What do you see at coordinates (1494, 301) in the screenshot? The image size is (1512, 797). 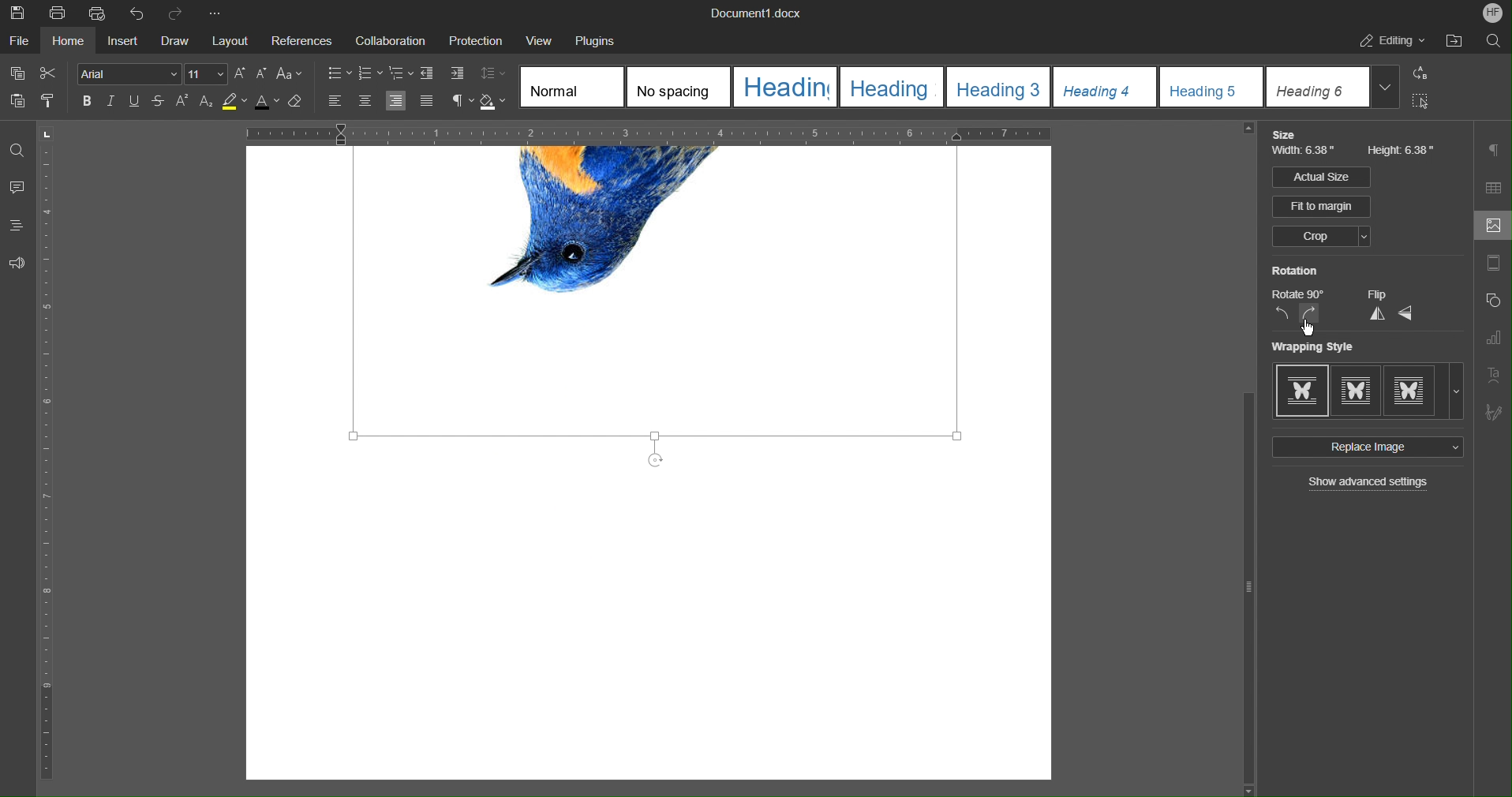 I see `Shape Settings` at bounding box center [1494, 301].